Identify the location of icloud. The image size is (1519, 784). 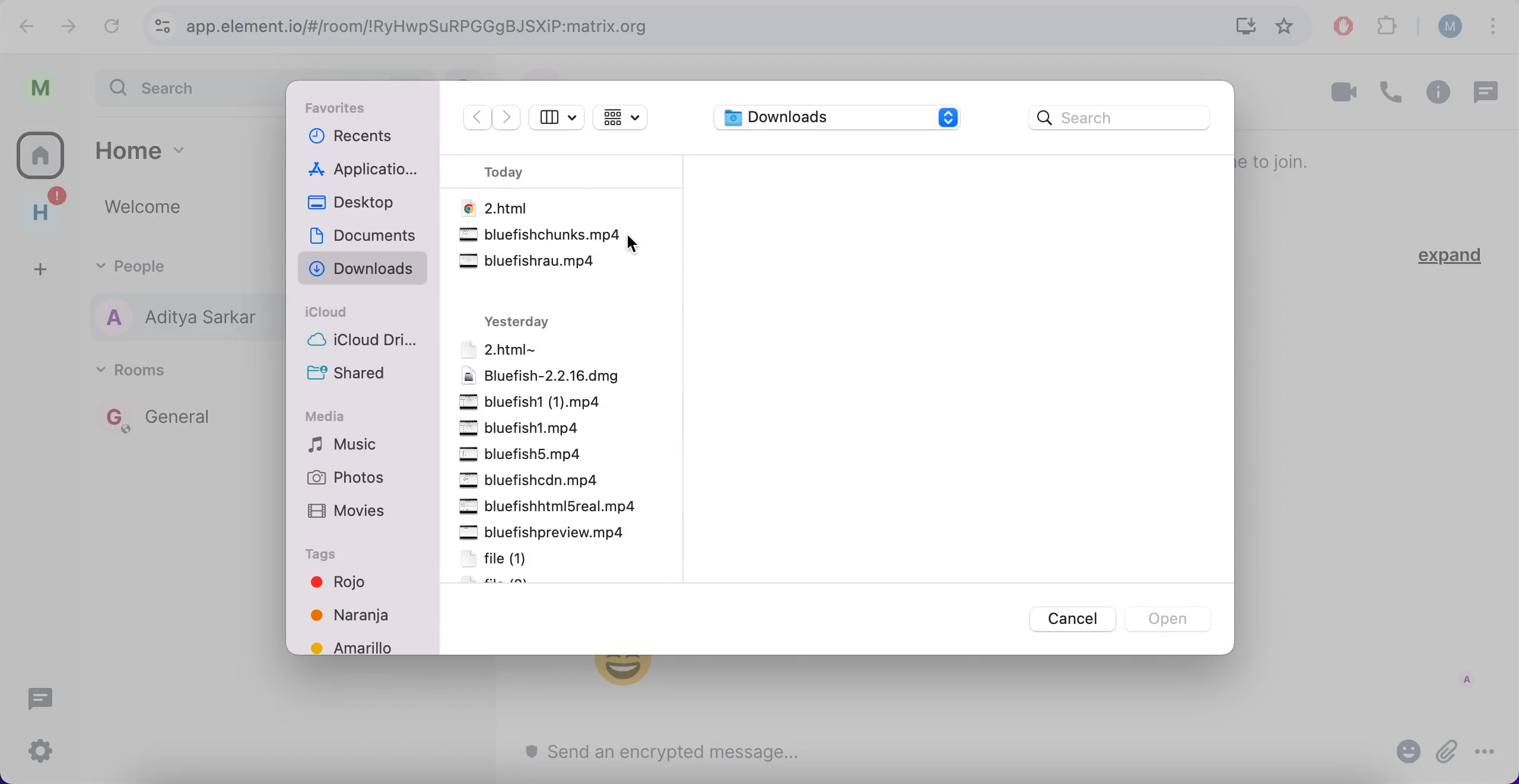
(338, 312).